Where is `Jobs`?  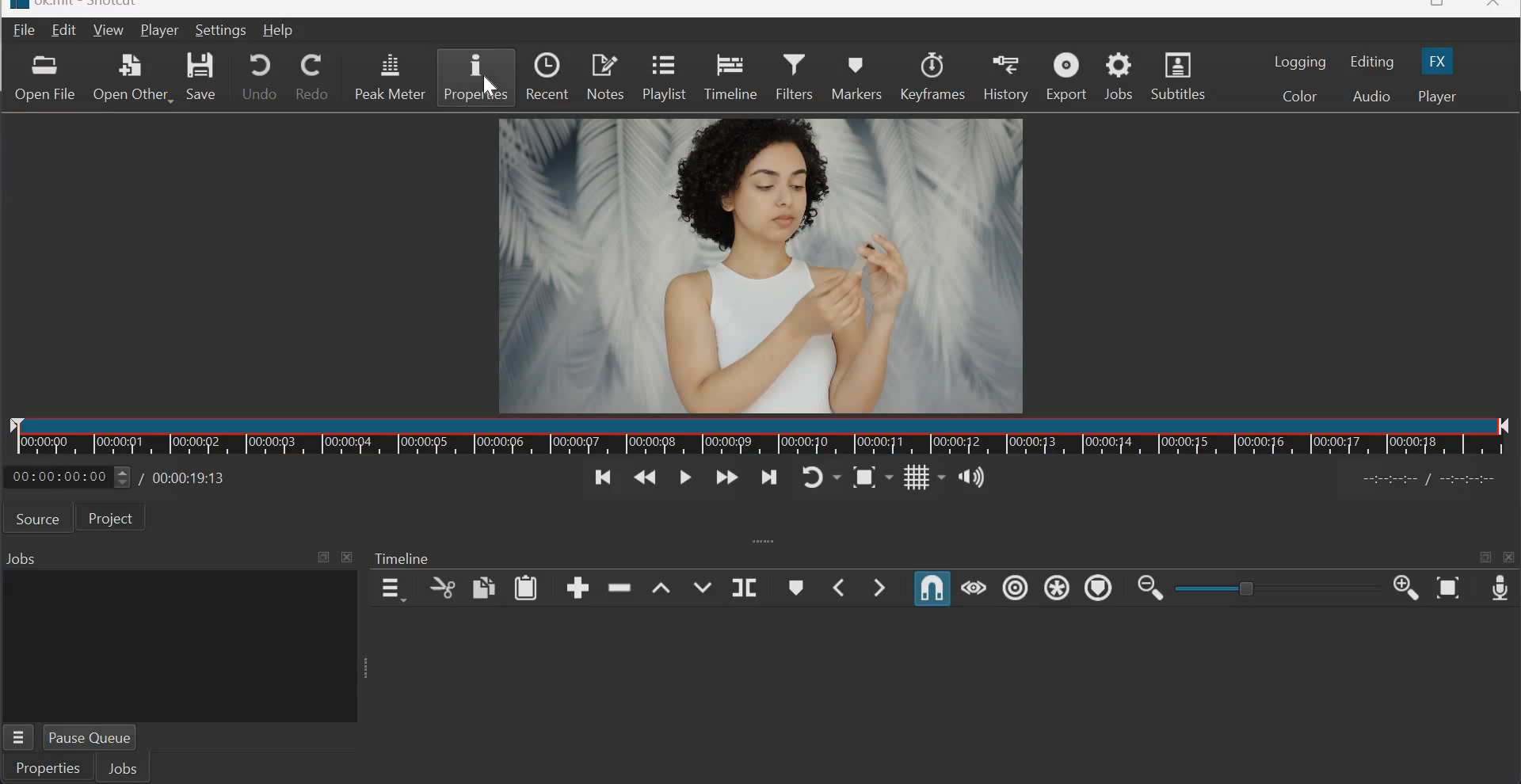
Jobs is located at coordinates (1119, 77).